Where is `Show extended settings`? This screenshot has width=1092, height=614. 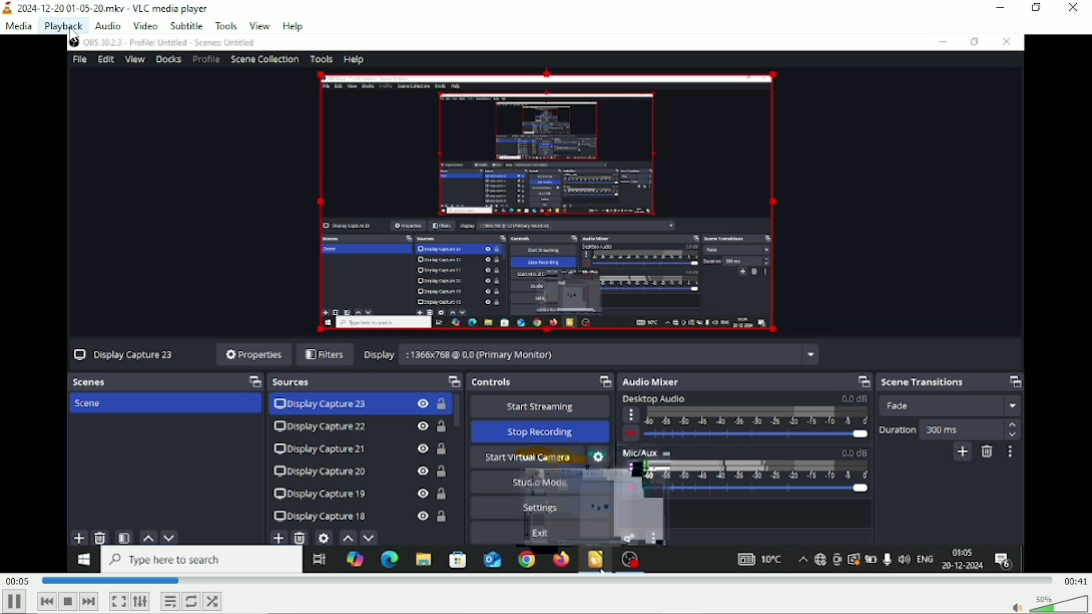 Show extended settings is located at coordinates (141, 601).